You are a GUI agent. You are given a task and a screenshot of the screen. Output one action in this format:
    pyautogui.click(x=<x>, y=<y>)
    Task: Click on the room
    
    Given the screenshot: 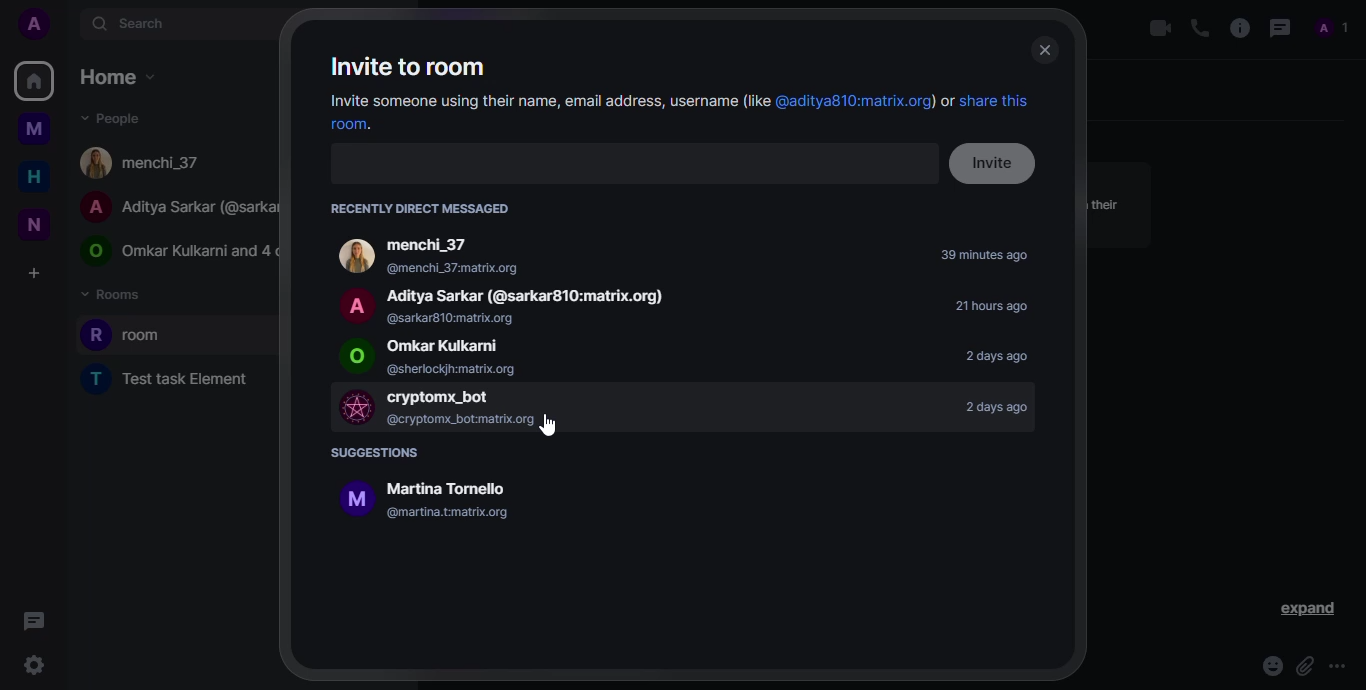 What is the action you would take?
    pyautogui.click(x=129, y=331)
    